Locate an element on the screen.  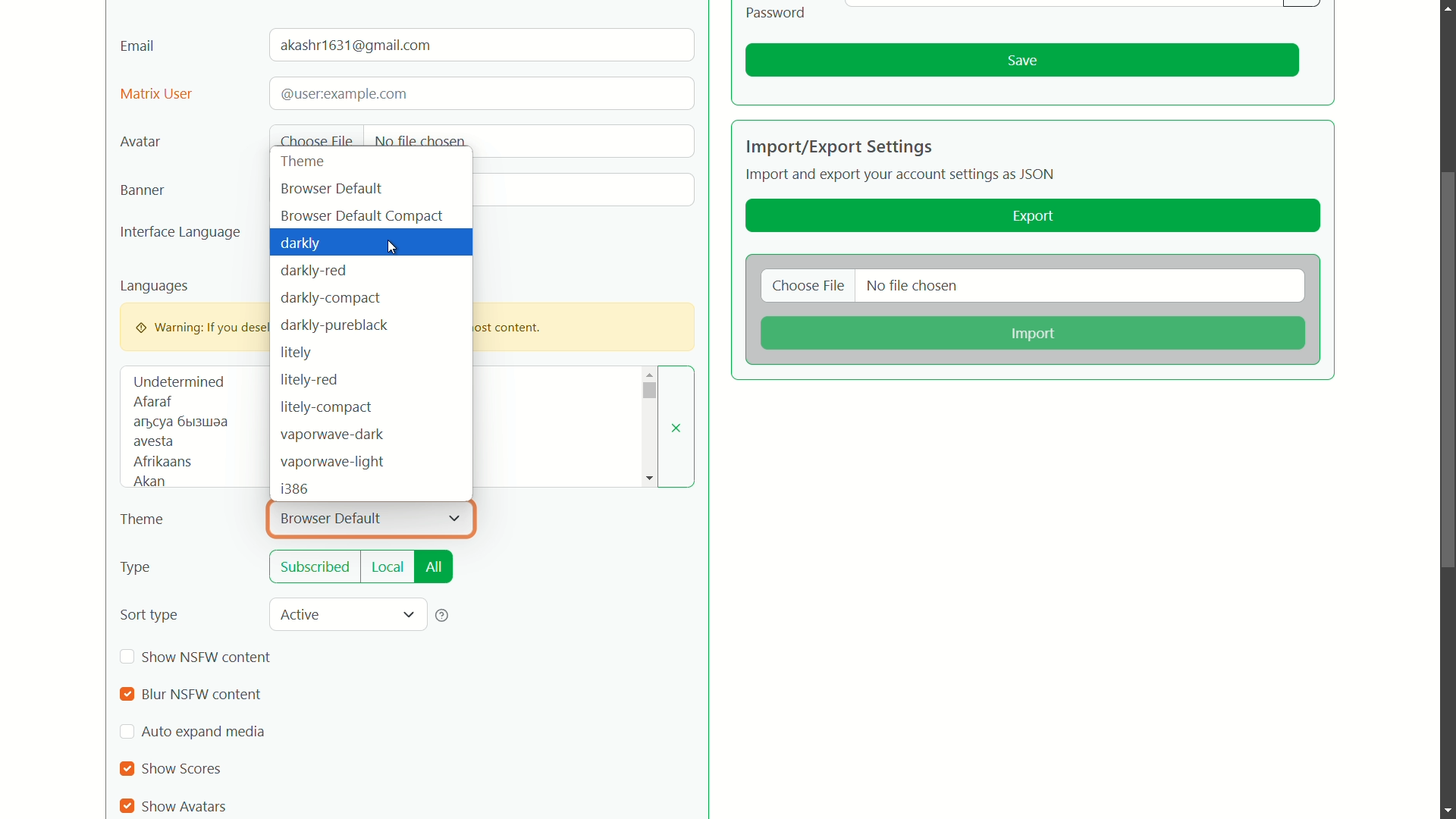
user mail is located at coordinates (359, 45).